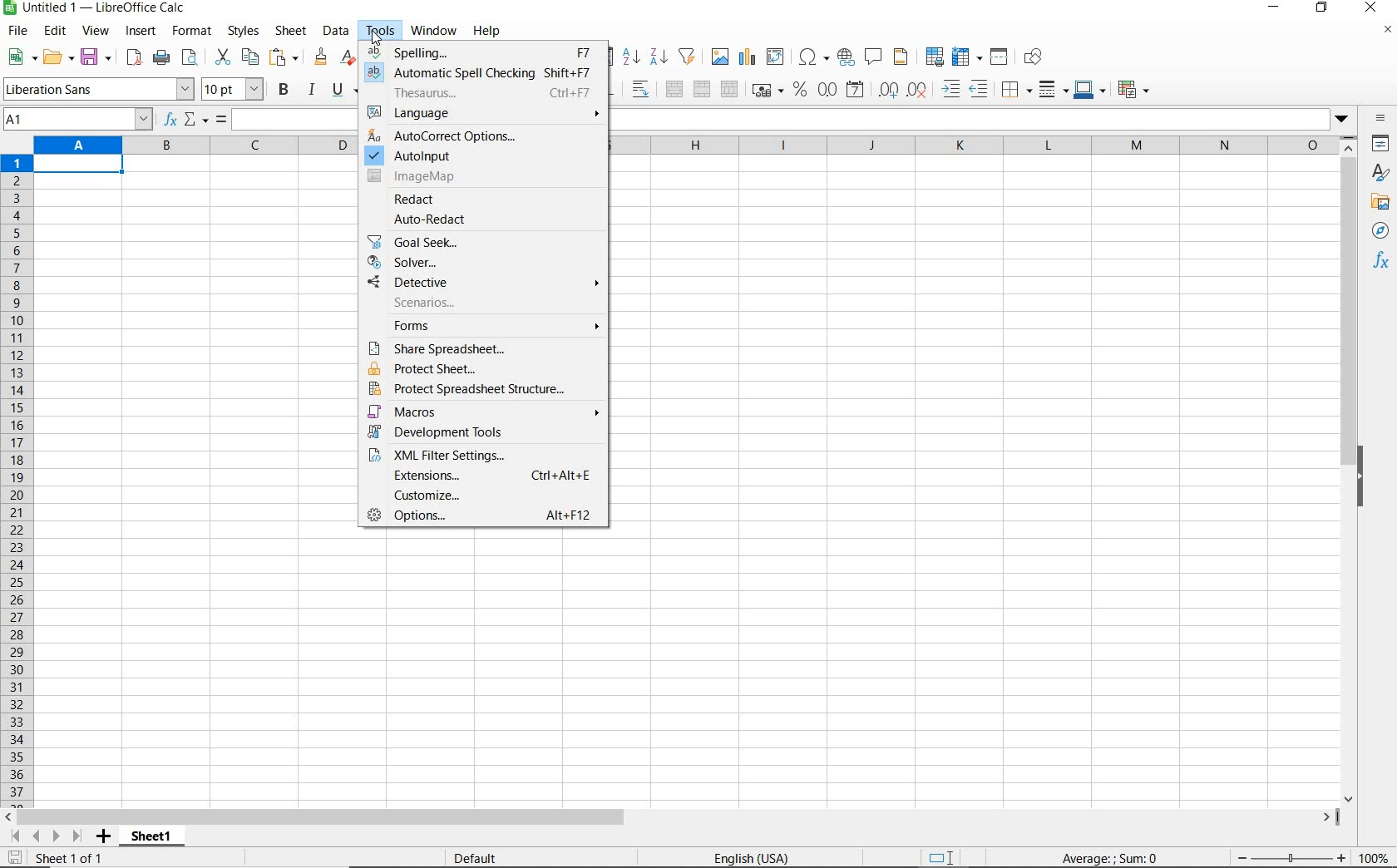 The height and width of the screenshot is (868, 1397). What do you see at coordinates (1296, 860) in the screenshot?
I see `zoom slider` at bounding box center [1296, 860].